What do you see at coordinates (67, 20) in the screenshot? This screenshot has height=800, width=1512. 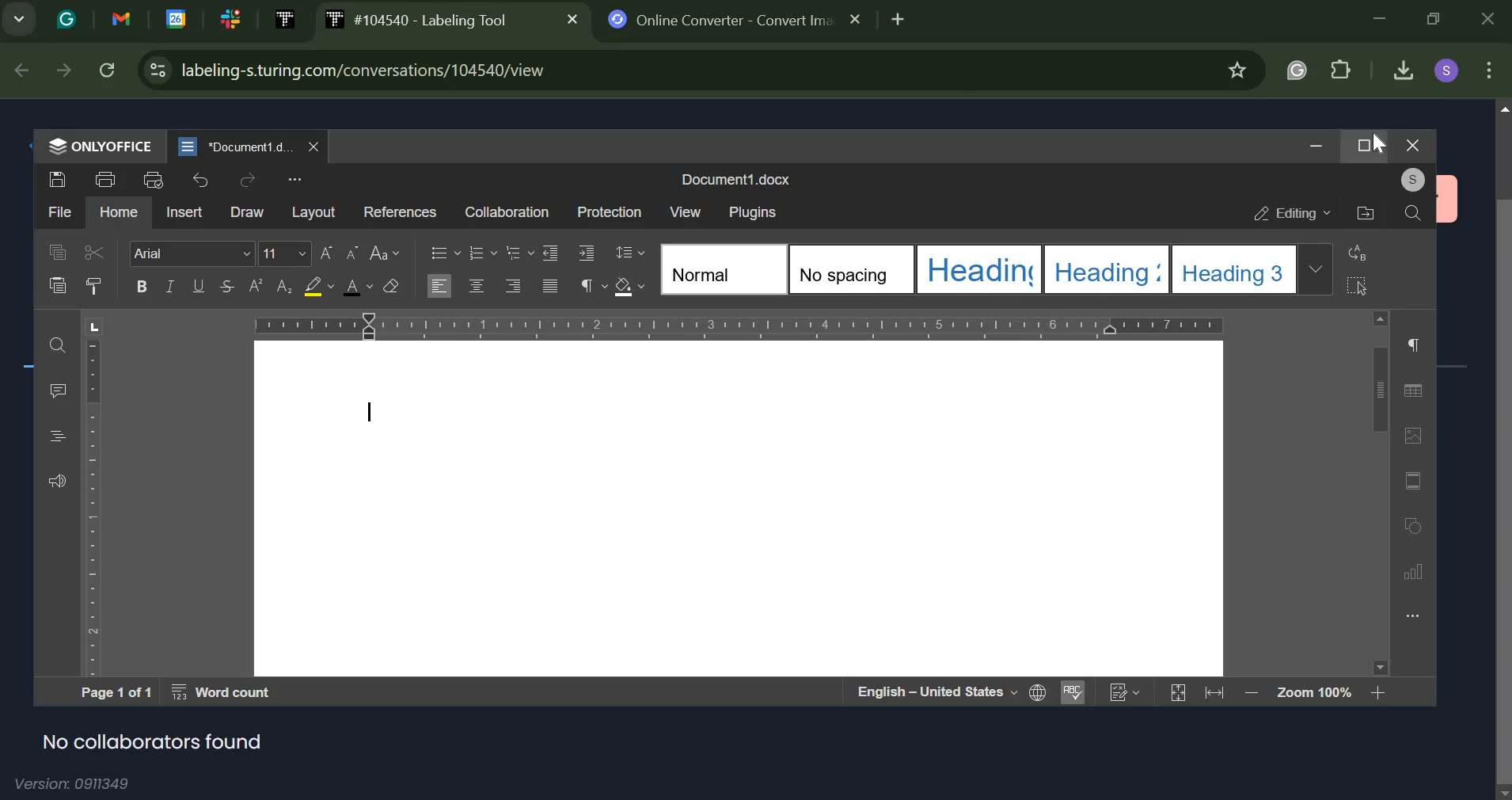 I see `logo` at bounding box center [67, 20].